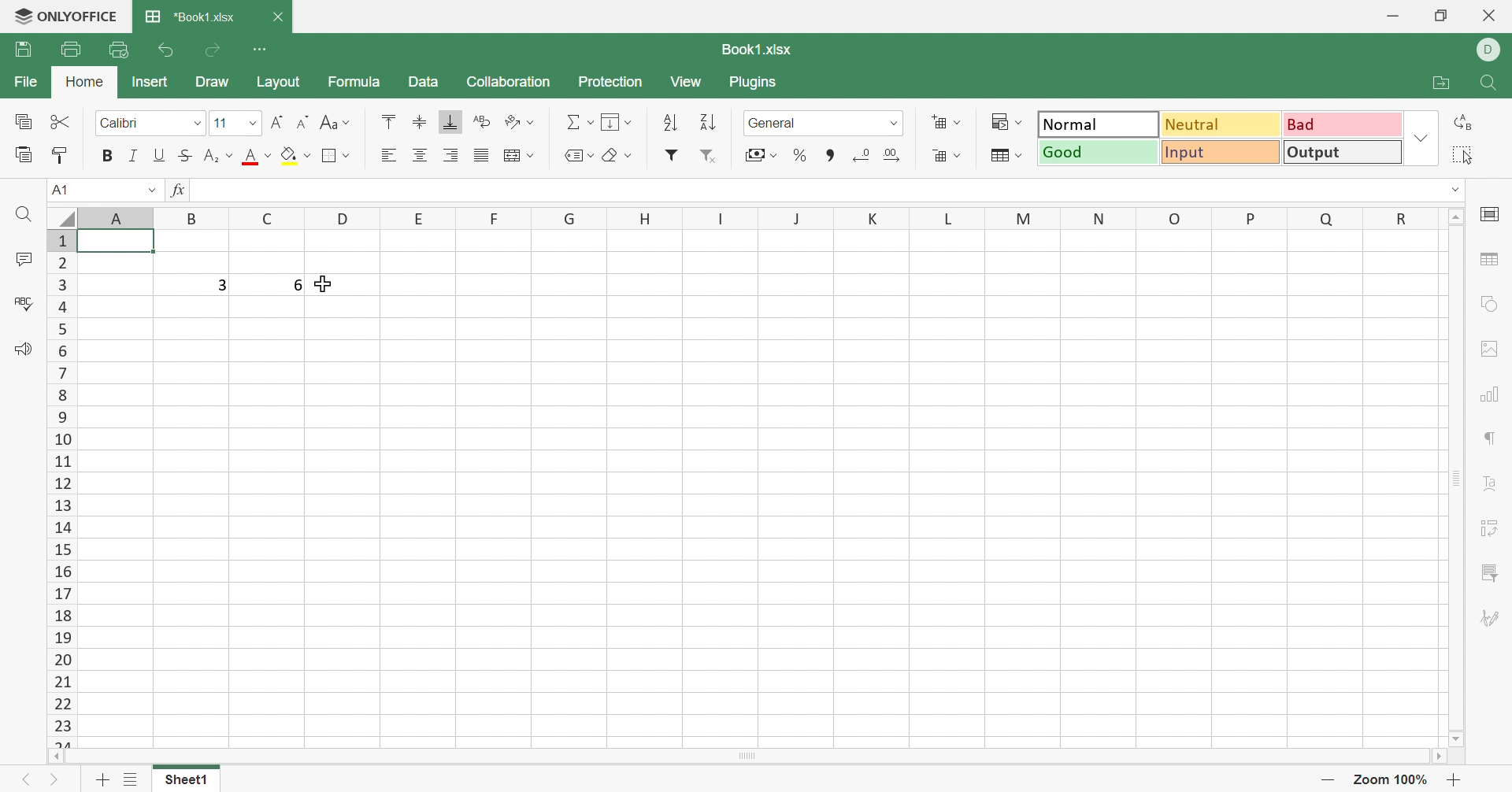  I want to click on Cell settings, so click(1493, 213).